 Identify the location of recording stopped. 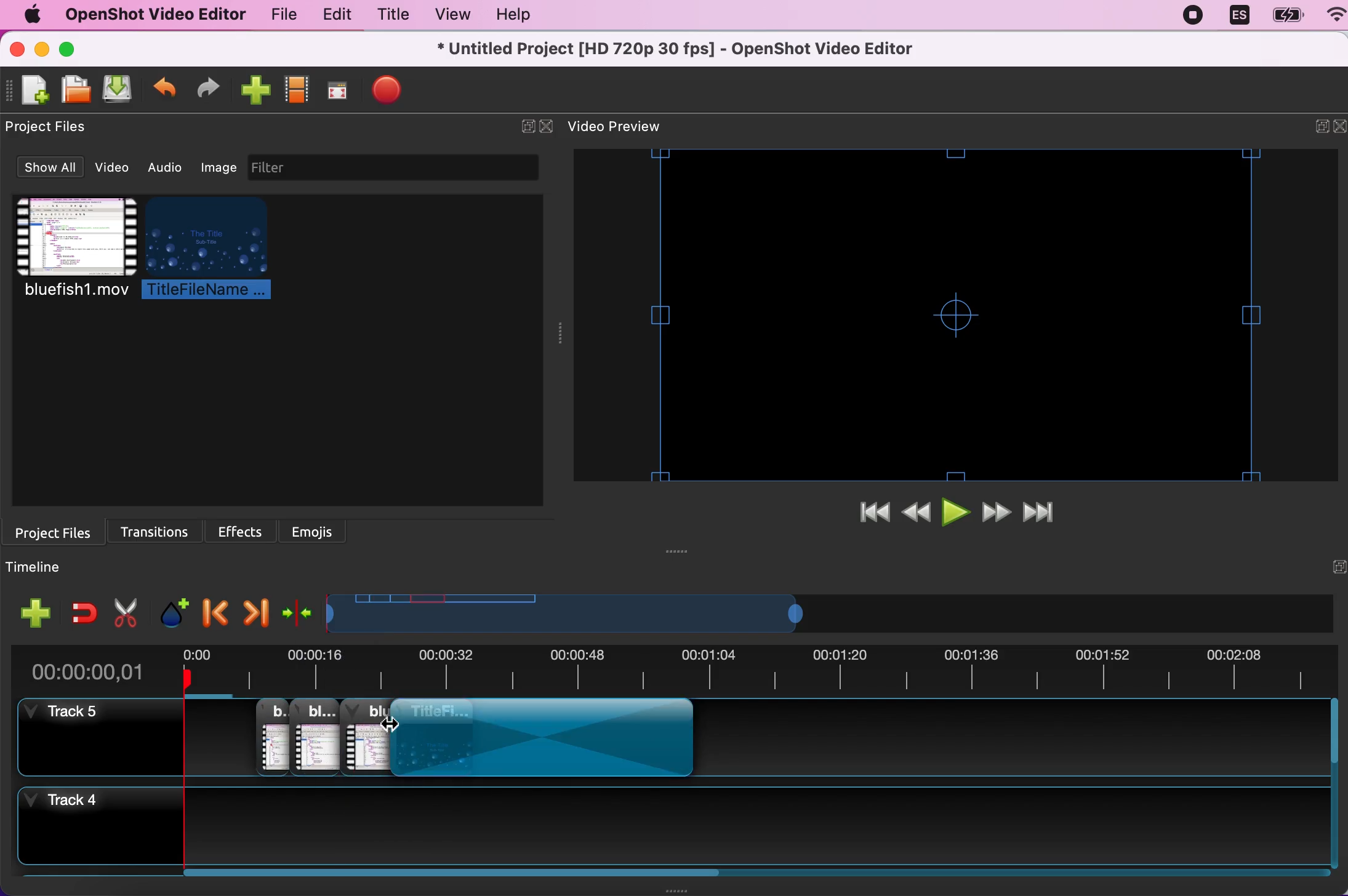
(1195, 15).